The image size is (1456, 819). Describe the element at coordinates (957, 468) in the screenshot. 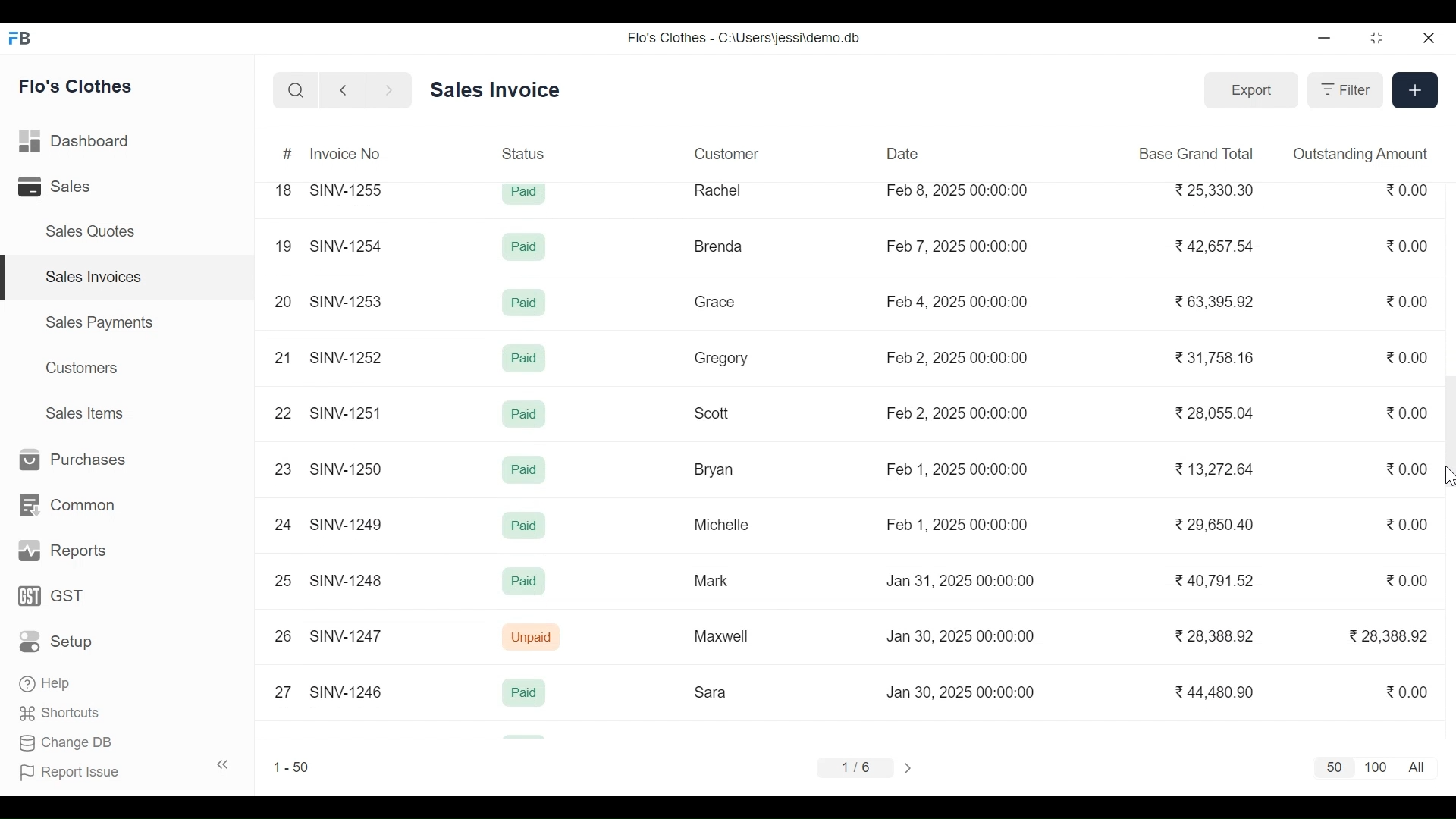

I see `Feb 1, 2025 00:00:00` at that location.